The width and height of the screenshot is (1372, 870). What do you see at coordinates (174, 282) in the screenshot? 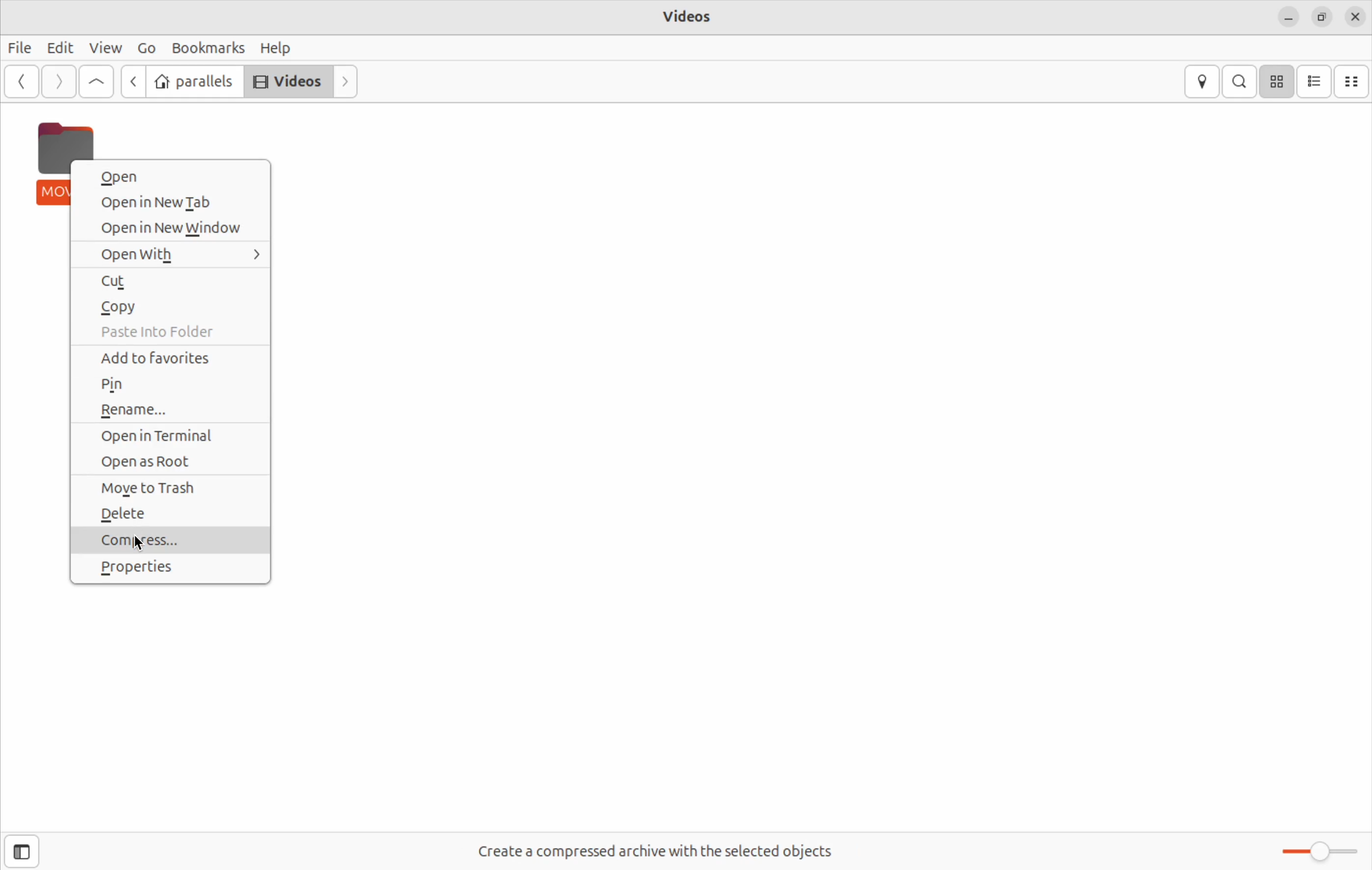
I see `cut` at bounding box center [174, 282].